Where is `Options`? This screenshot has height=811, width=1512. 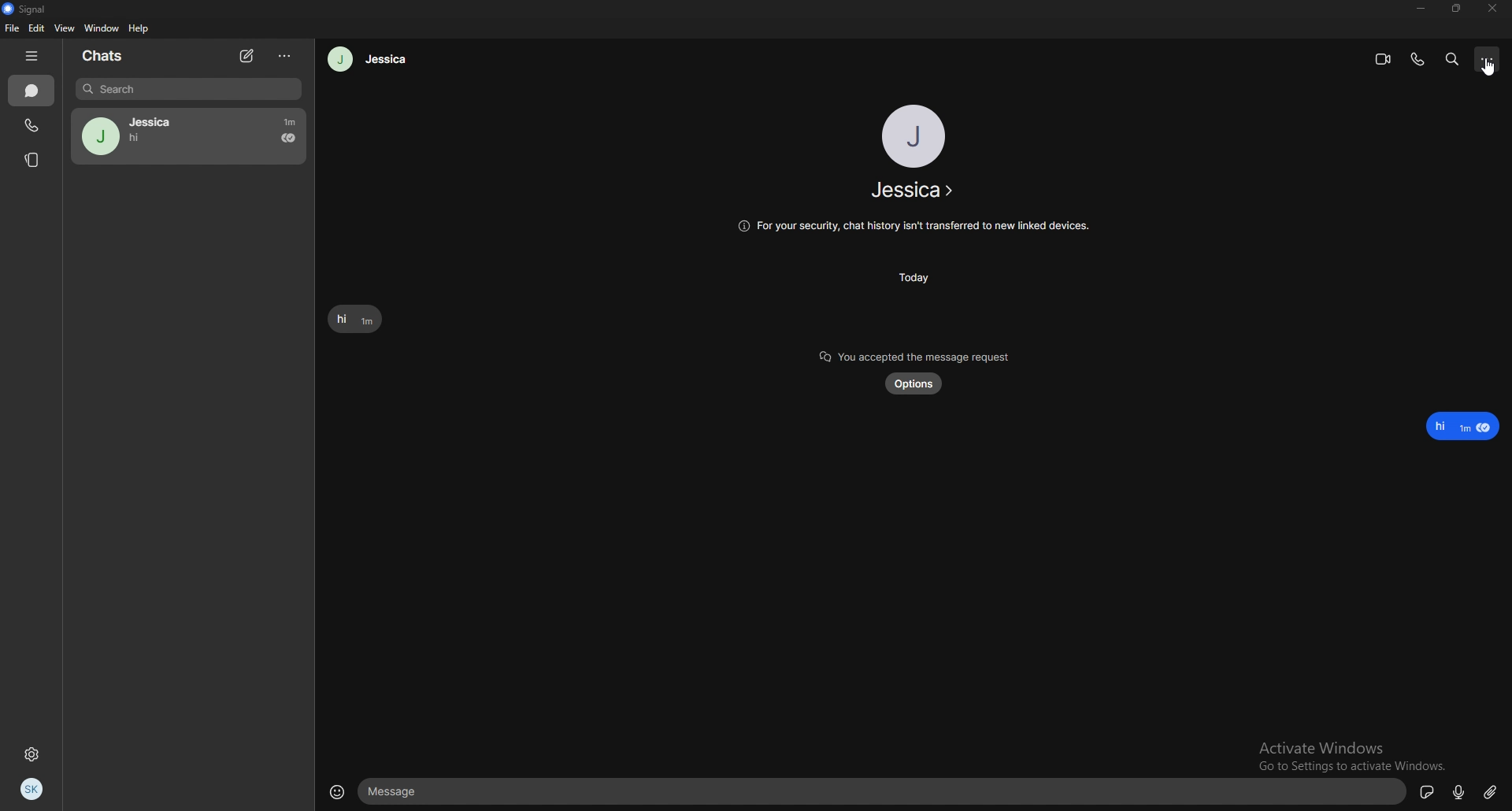 Options is located at coordinates (1491, 58).